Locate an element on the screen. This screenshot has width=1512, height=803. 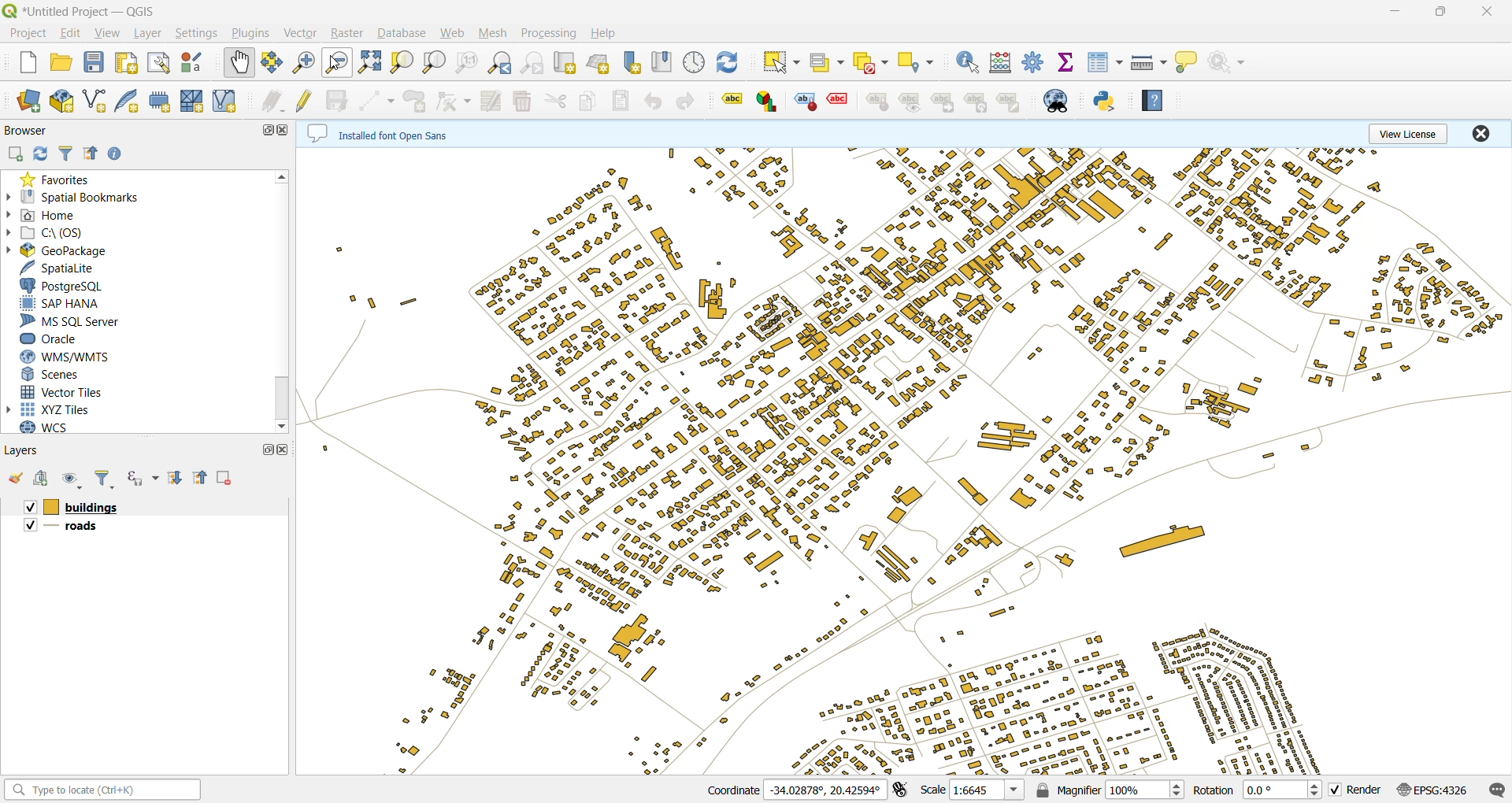
refresh is located at coordinates (42, 153).